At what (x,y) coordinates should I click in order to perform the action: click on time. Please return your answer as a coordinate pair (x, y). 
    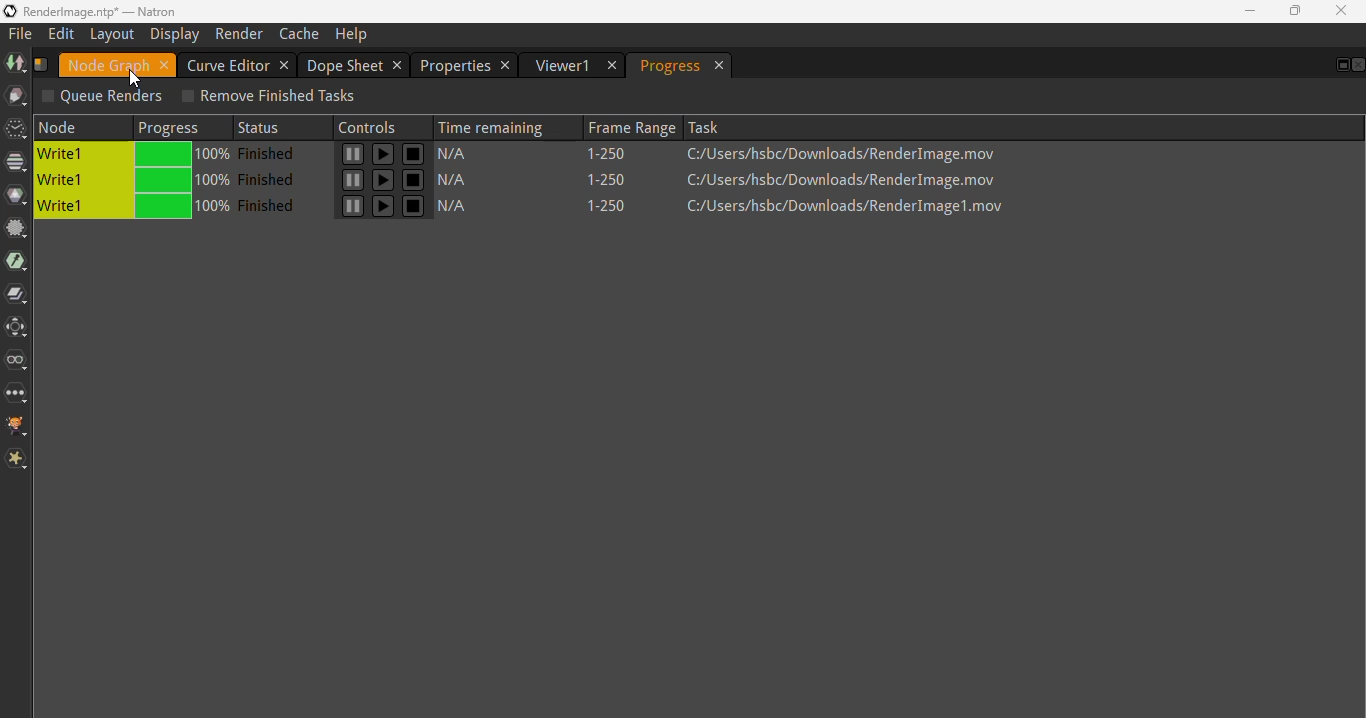
    Looking at the image, I should click on (16, 130).